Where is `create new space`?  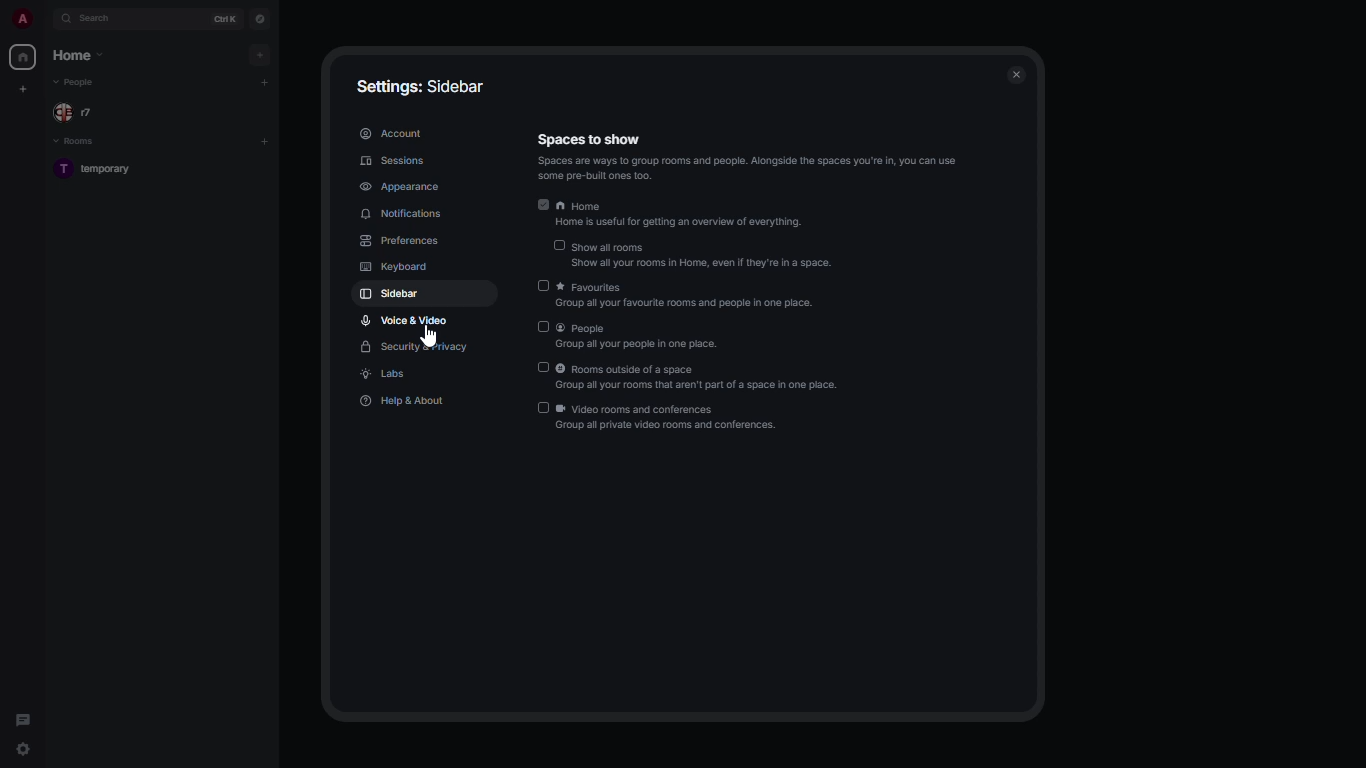 create new space is located at coordinates (23, 88).